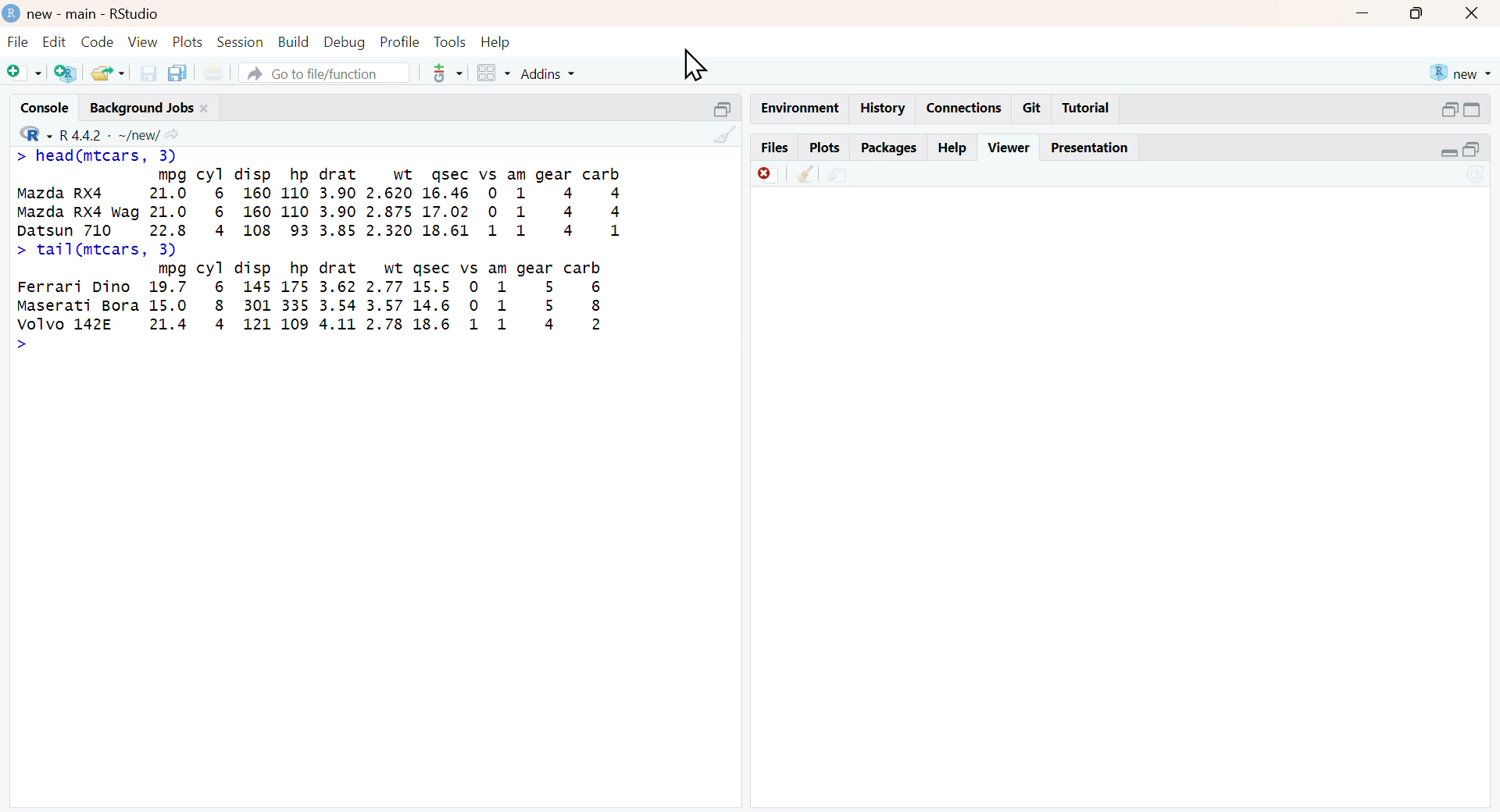 The width and height of the screenshot is (1500, 812). I want to click on New file, so click(20, 69).